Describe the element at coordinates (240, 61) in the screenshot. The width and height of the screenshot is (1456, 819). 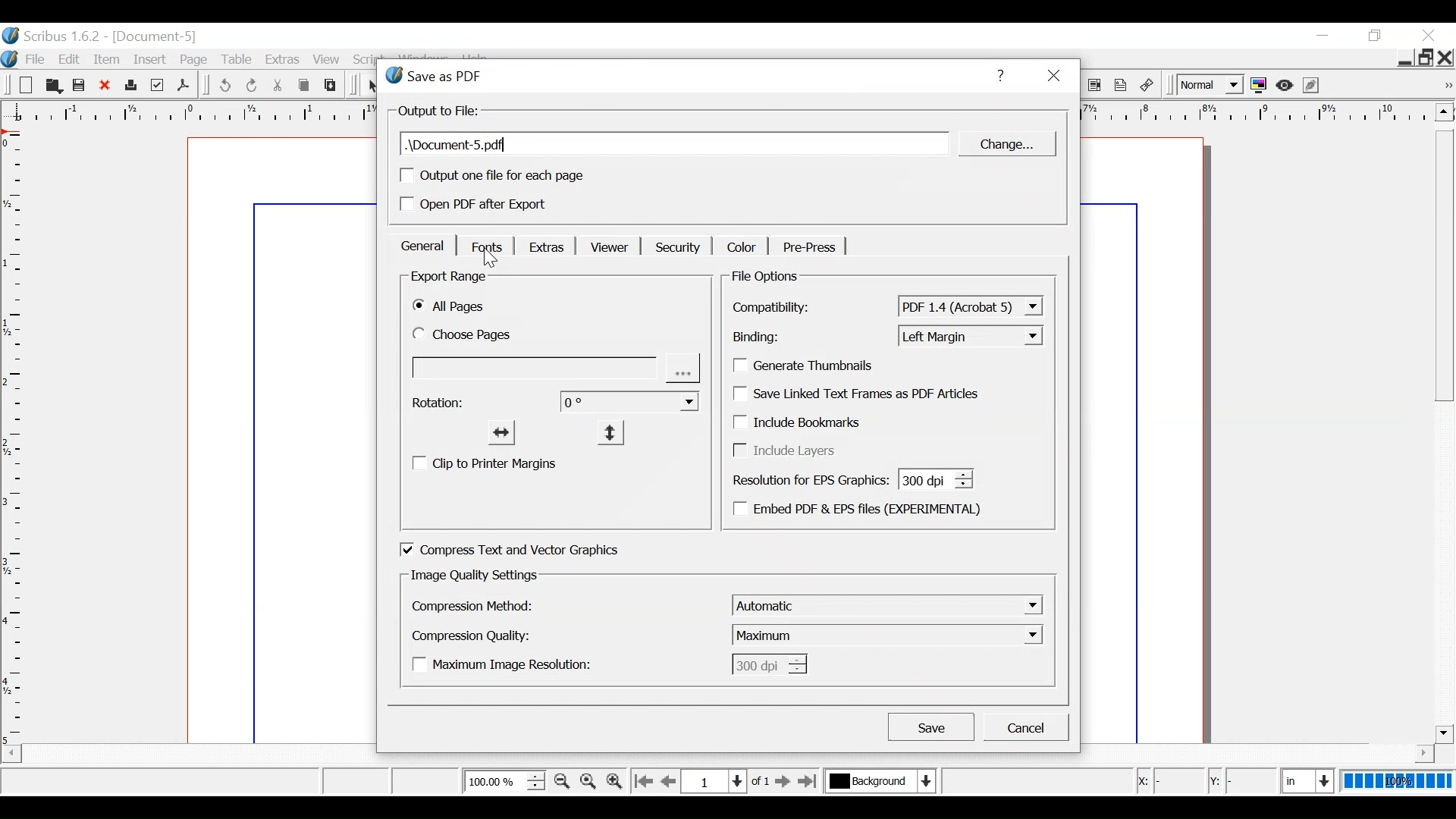
I see `Table` at that location.